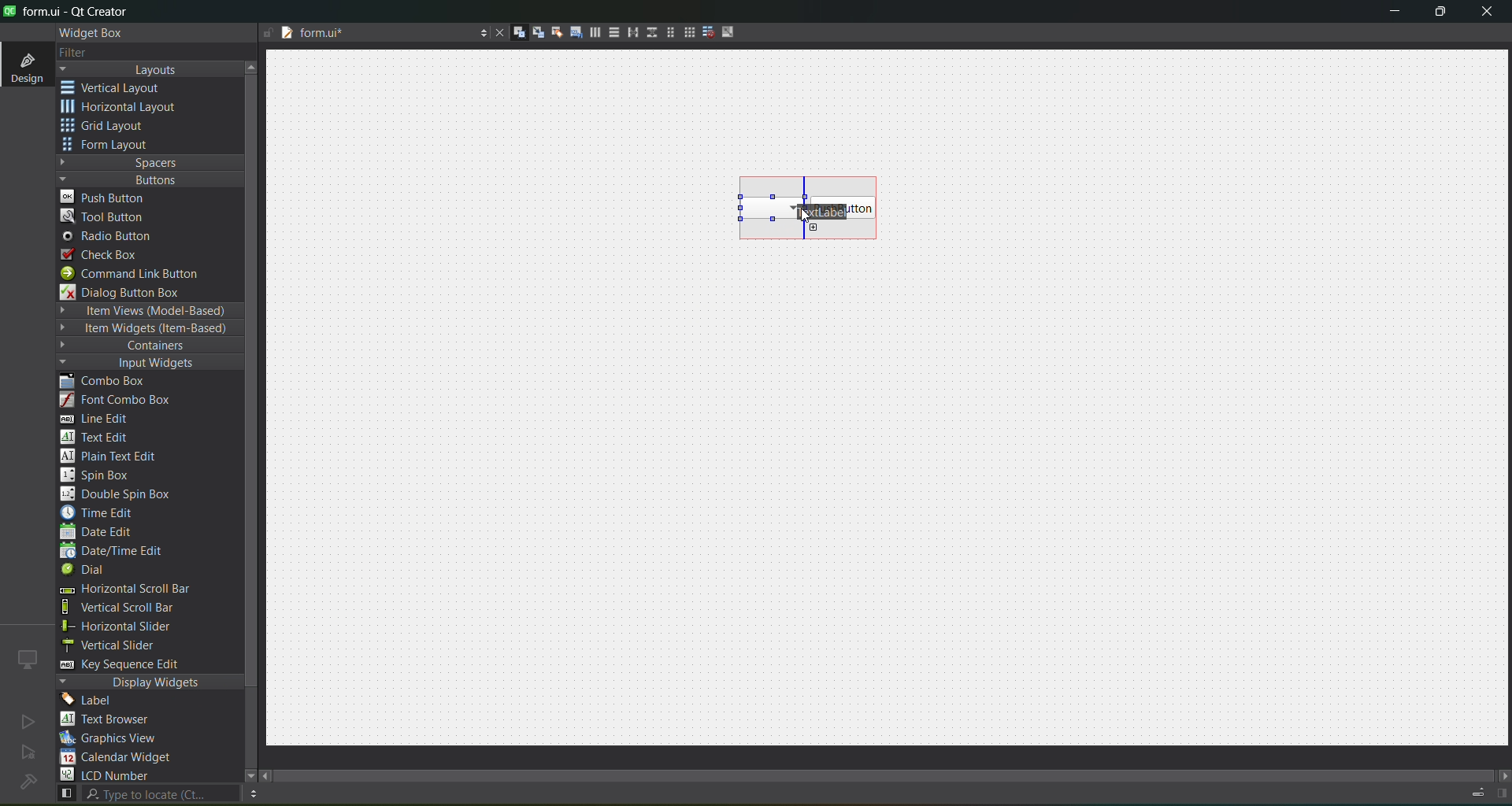  Describe the element at coordinates (150, 162) in the screenshot. I see `spaces` at that location.